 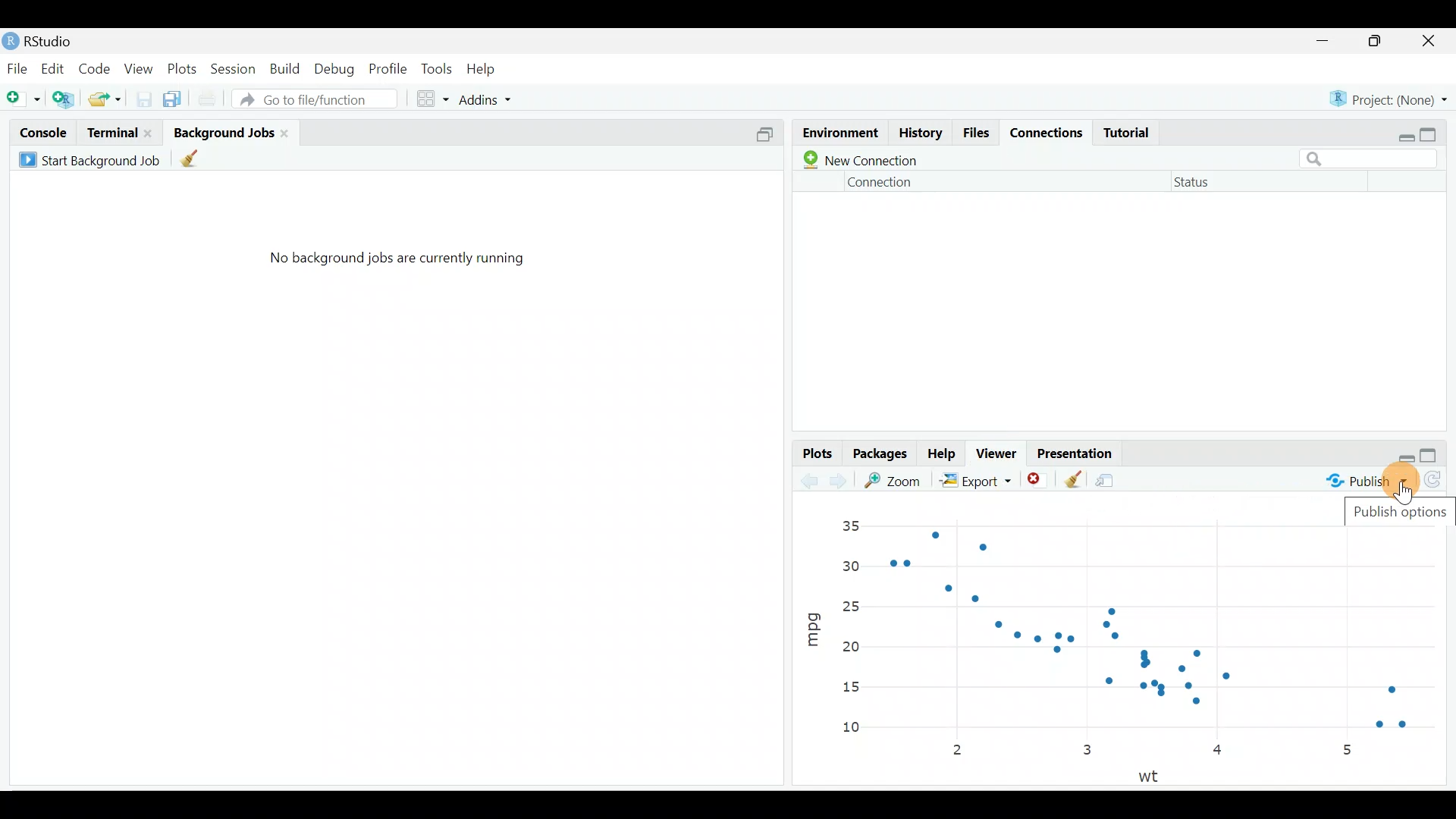 What do you see at coordinates (896, 480) in the screenshot?
I see `Zoom` at bounding box center [896, 480].